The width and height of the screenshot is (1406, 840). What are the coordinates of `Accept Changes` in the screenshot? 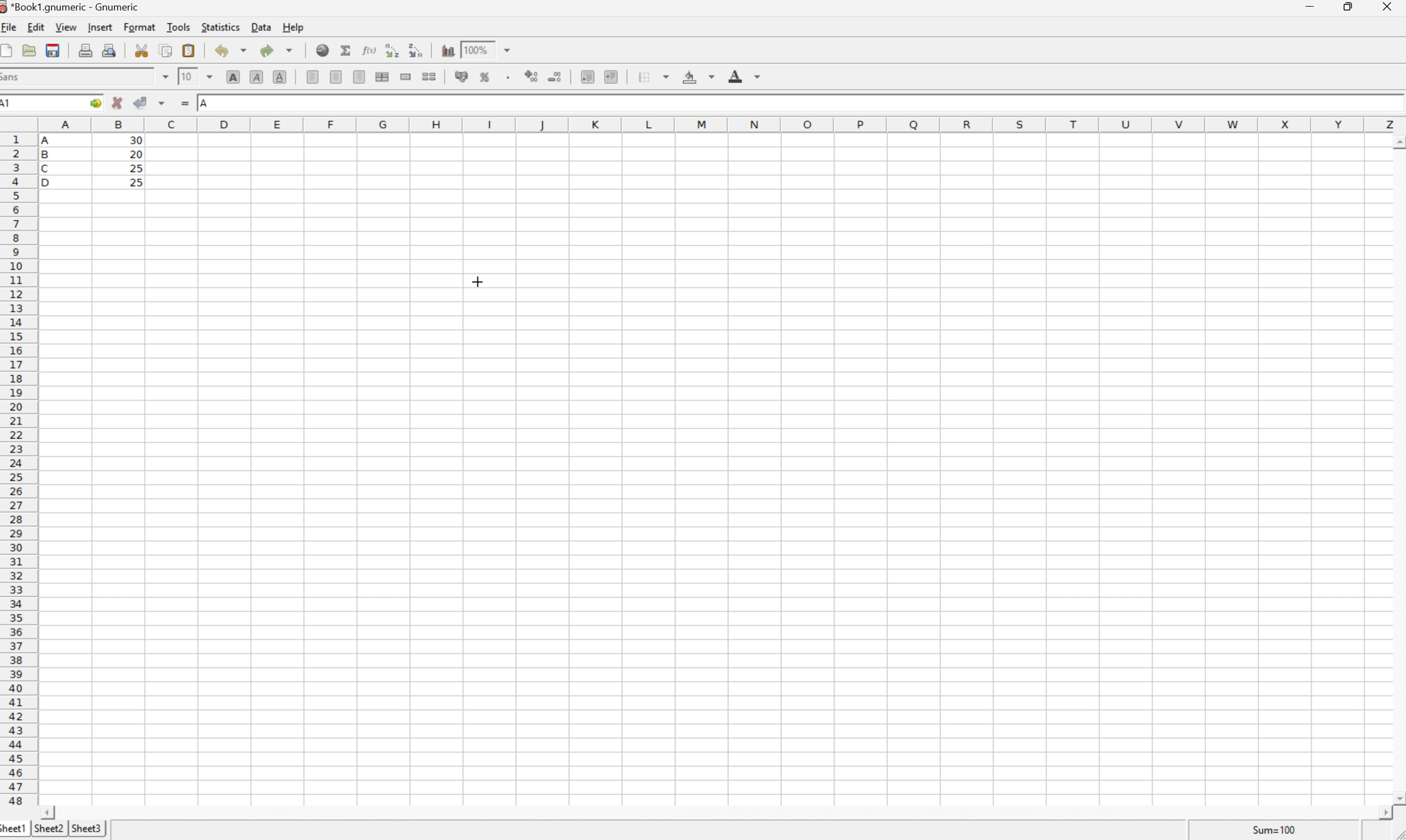 It's located at (139, 102).